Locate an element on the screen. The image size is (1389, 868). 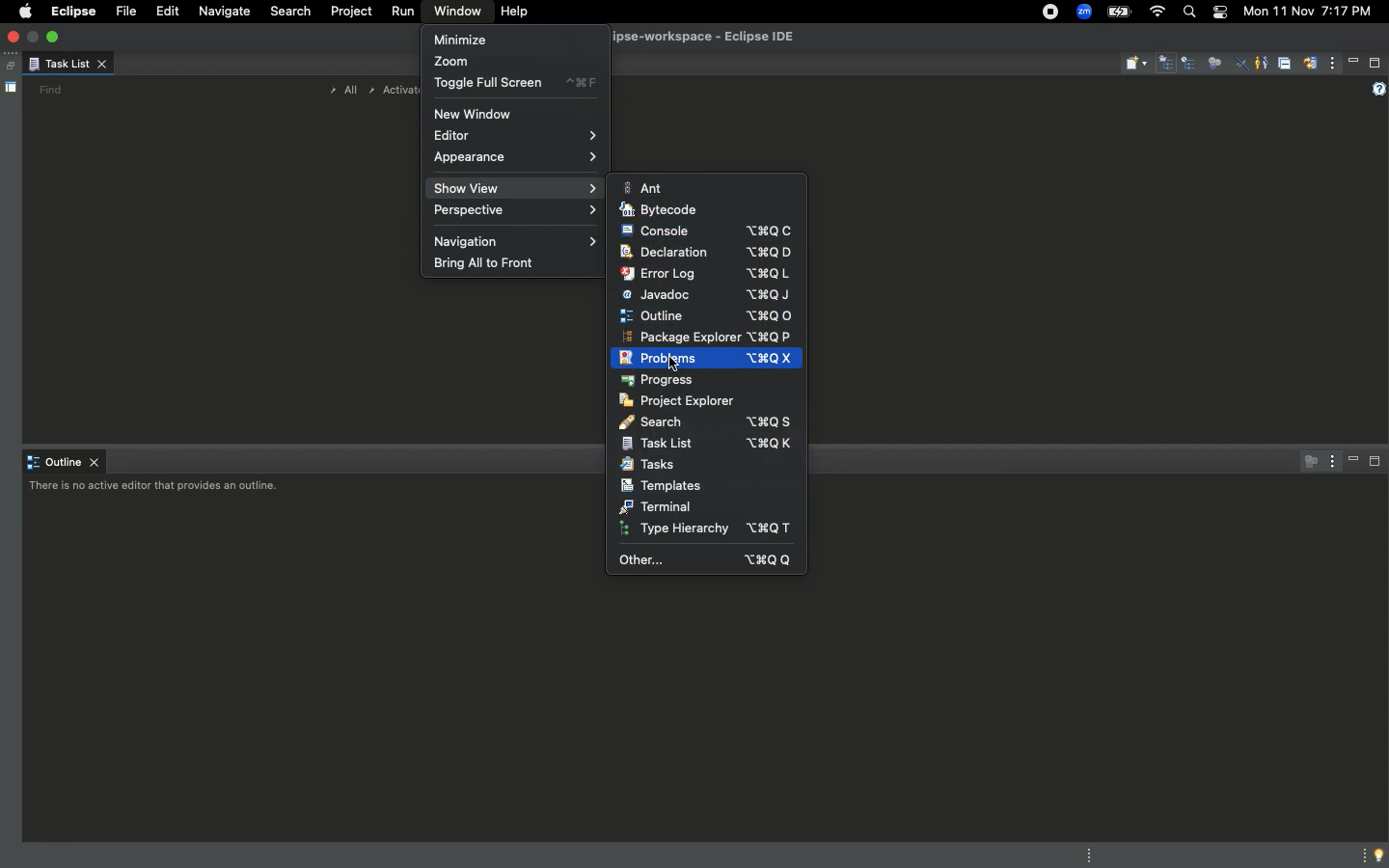
Bytecode is located at coordinates (665, 211).